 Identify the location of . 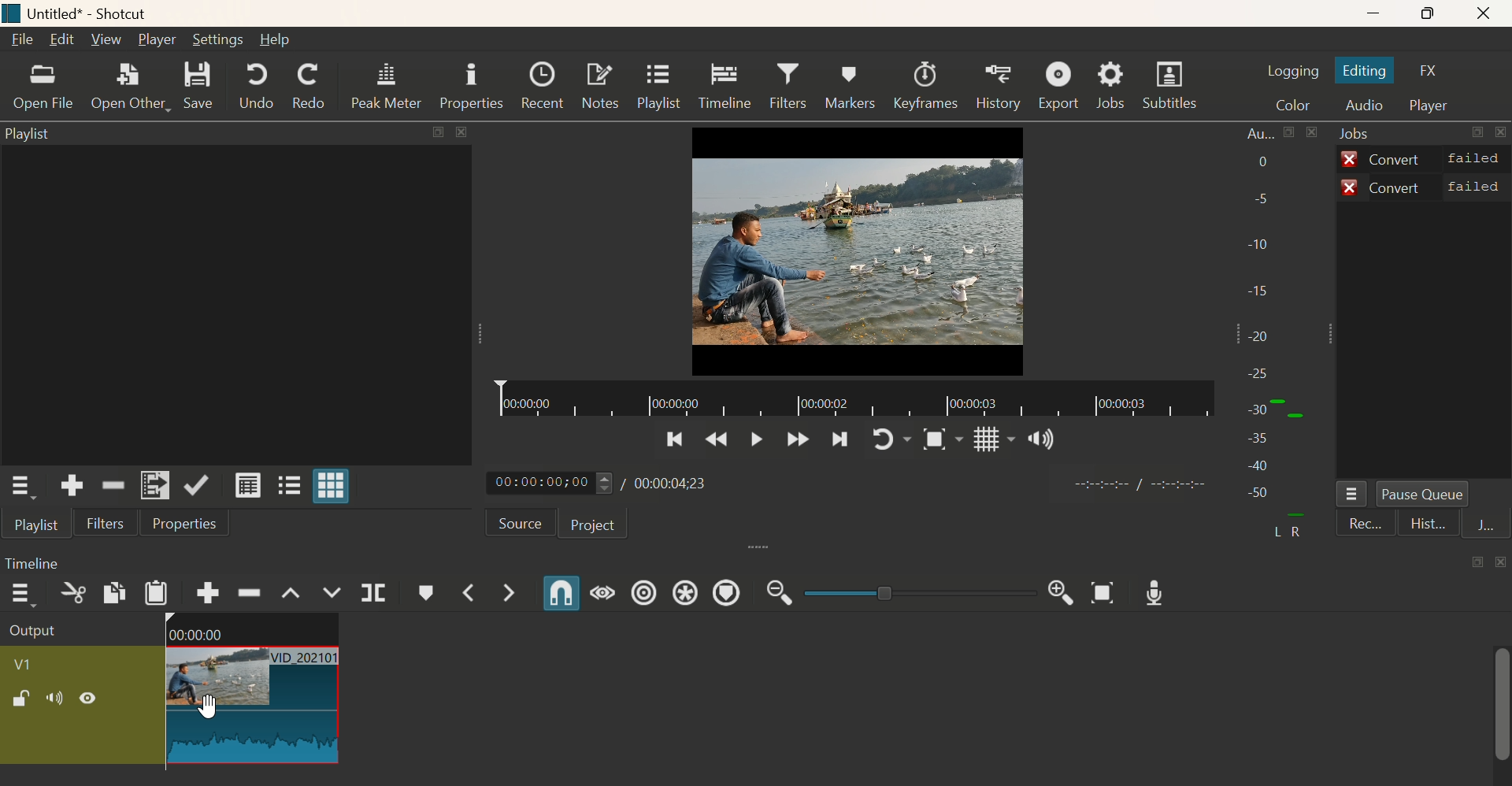
(780, 591).